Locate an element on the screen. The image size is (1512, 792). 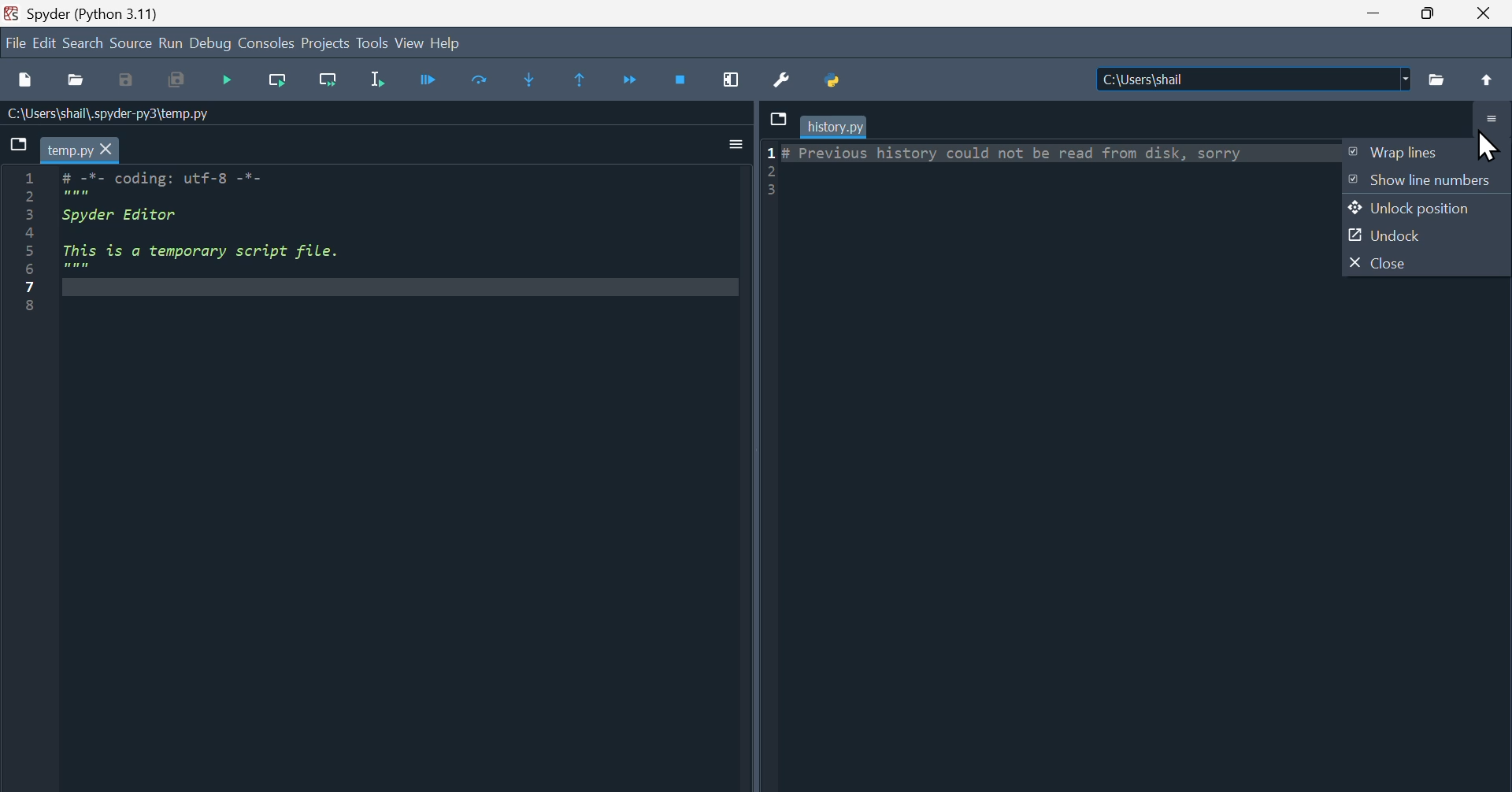
Run current line is located at coordinates (279, 81).